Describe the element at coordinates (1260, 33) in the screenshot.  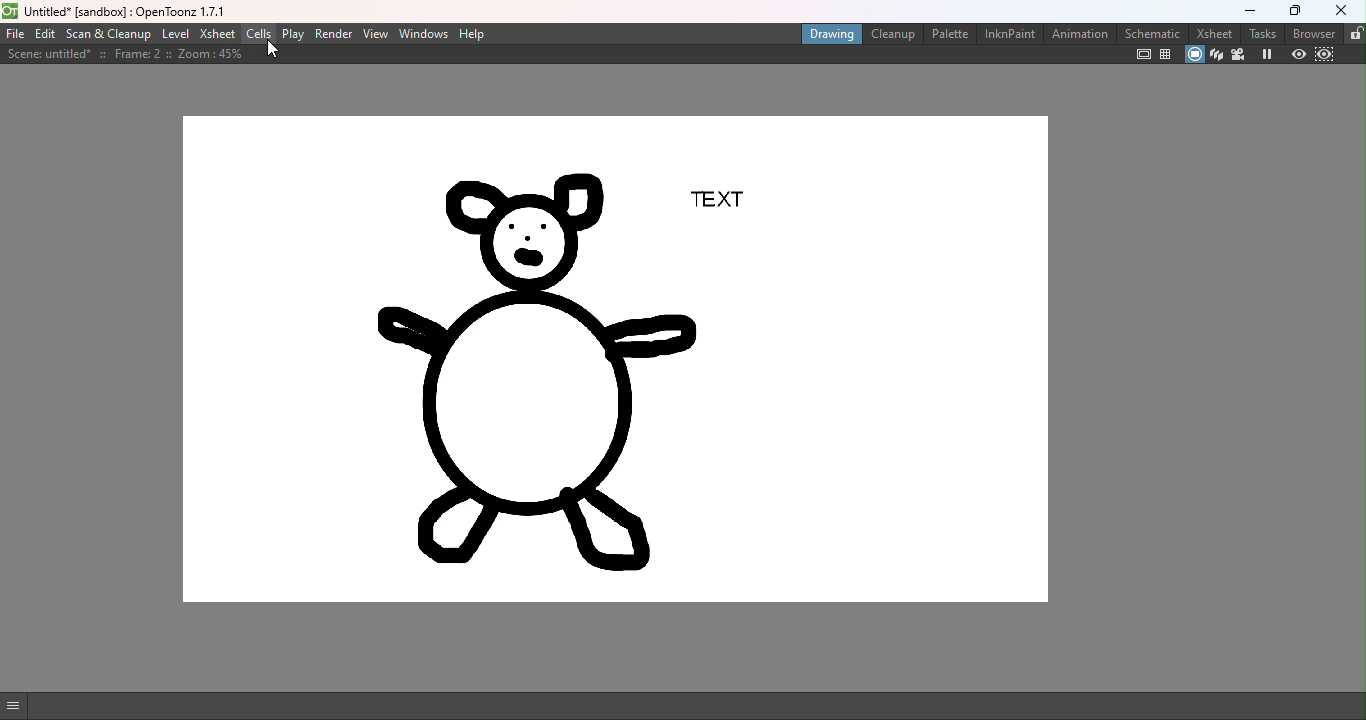
I see `tasks` at that location.